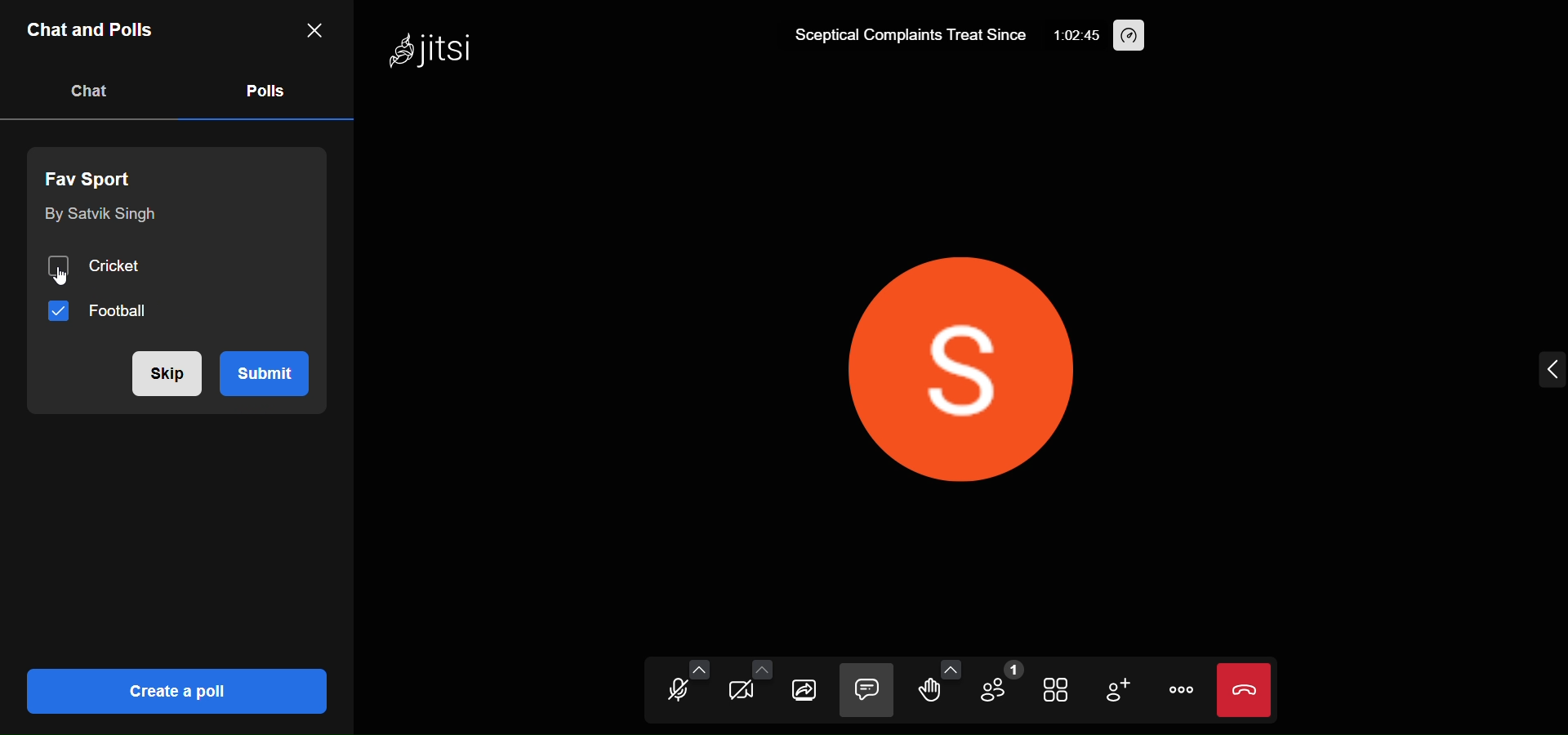 This screenshot has width=1568, height=735. Describe the element at coordinates (1131, 36) in the screenshot. I see `performance setting` at that location.